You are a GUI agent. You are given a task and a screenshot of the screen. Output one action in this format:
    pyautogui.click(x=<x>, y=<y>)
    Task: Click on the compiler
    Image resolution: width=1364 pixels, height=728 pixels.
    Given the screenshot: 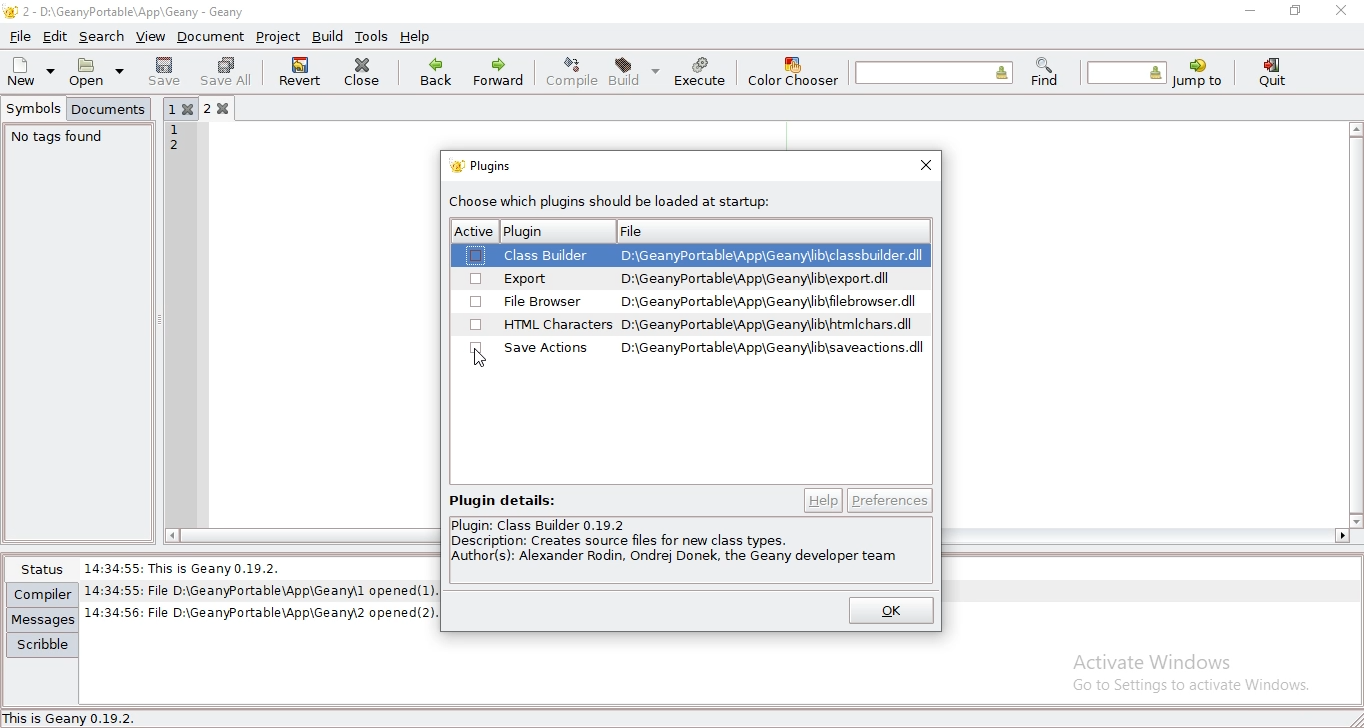 What is the action you would take?
    pyautogui.click(x=41, y=594)
    